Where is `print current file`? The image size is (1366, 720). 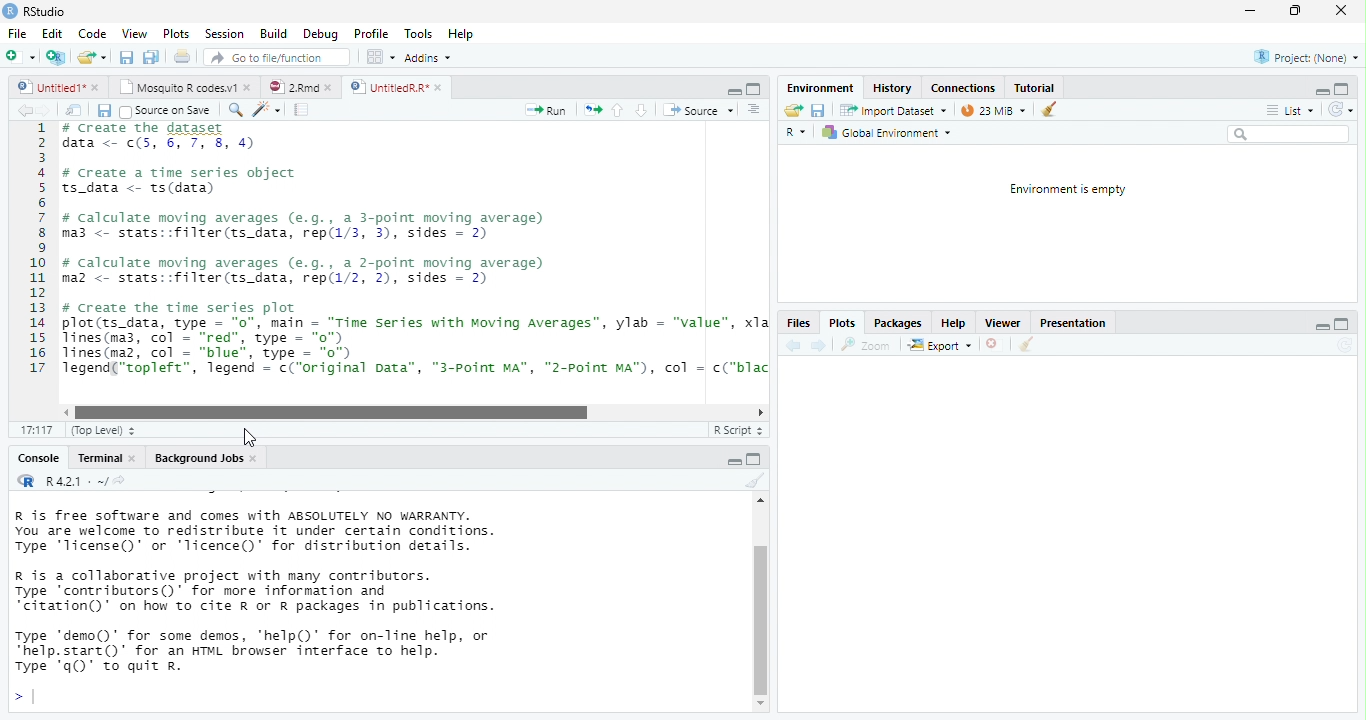 print current file is located at coordinates (183, 56).